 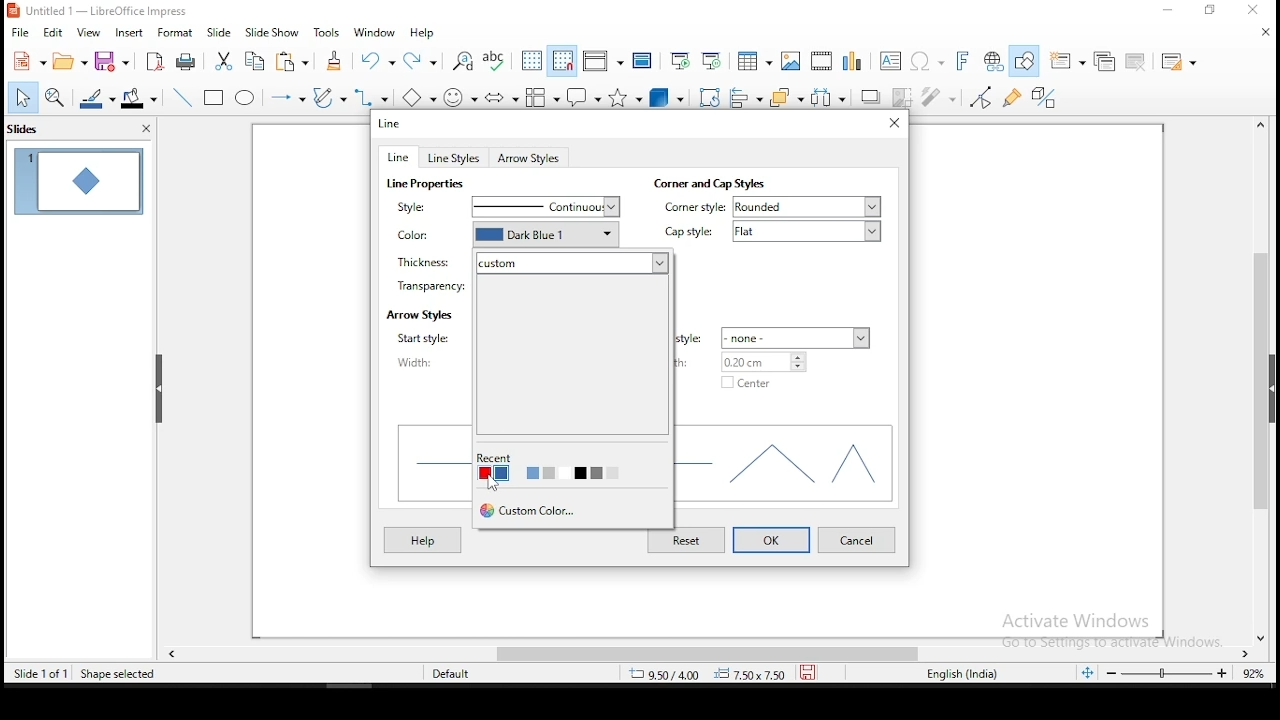 I want to click on english (india), so click(x=969, y=674).